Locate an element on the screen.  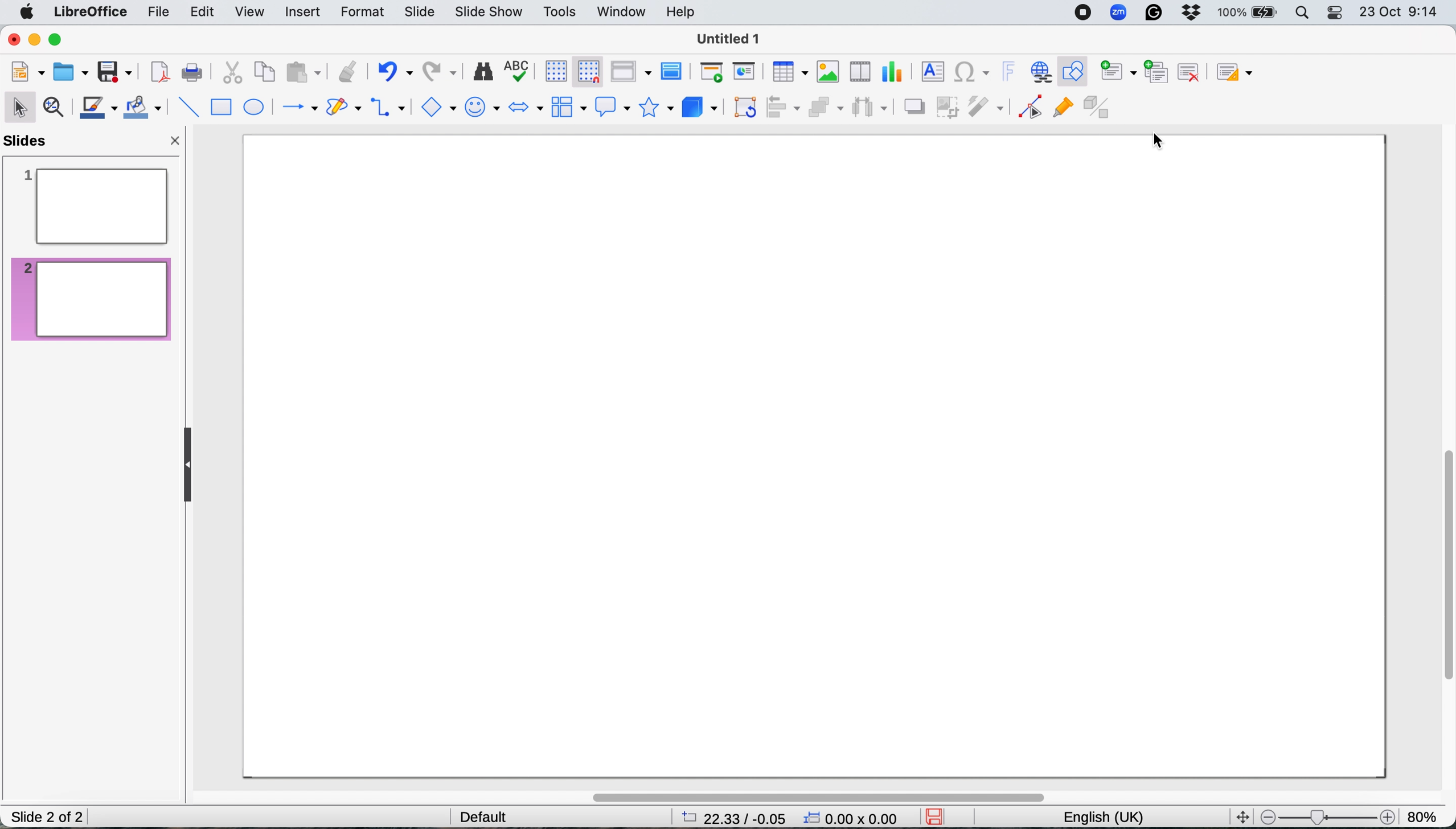
crop image is located at coordinates (948, 107).